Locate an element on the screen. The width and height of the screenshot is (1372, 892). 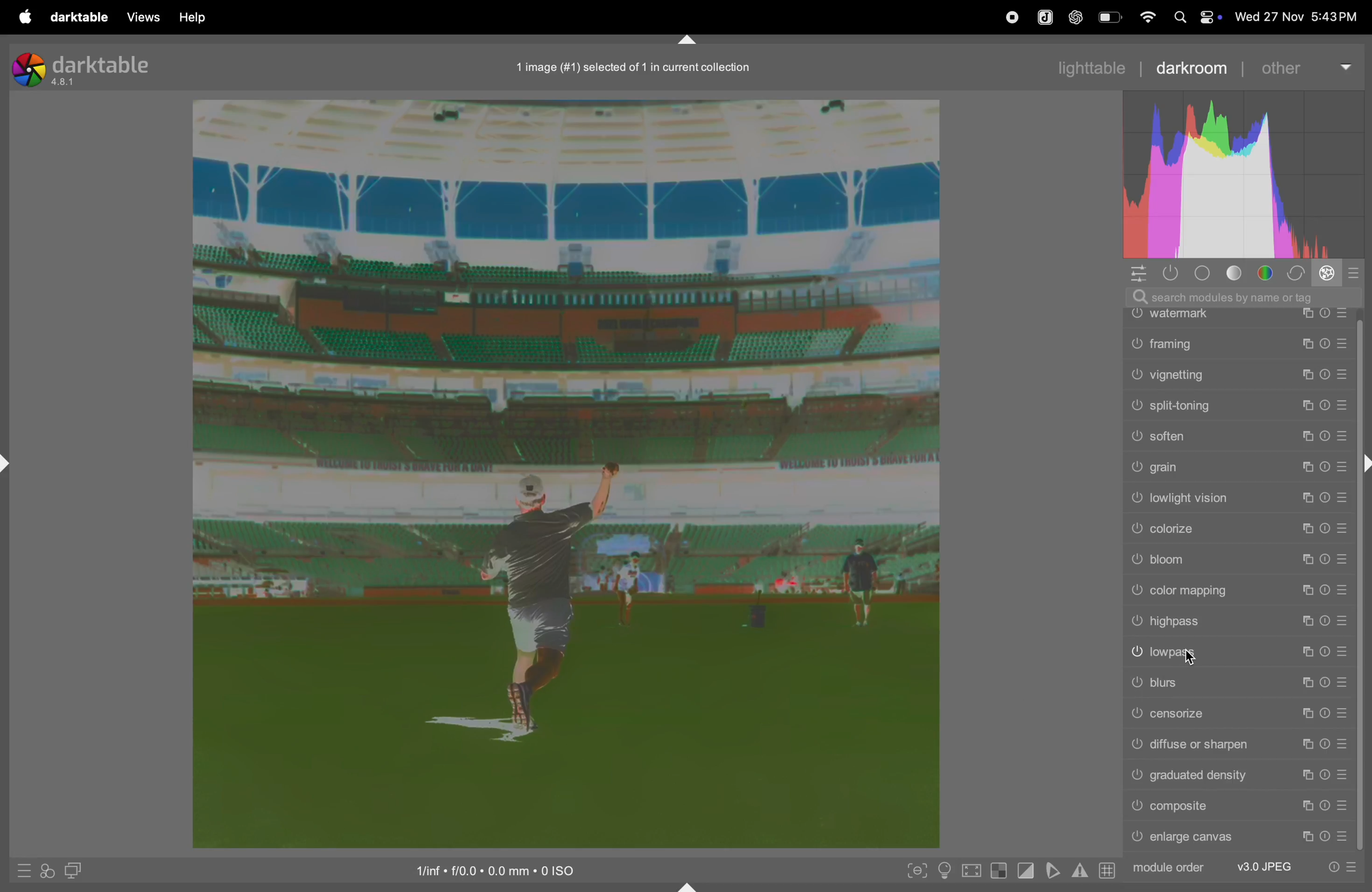
histogram is located at coordinates (1249, 176).